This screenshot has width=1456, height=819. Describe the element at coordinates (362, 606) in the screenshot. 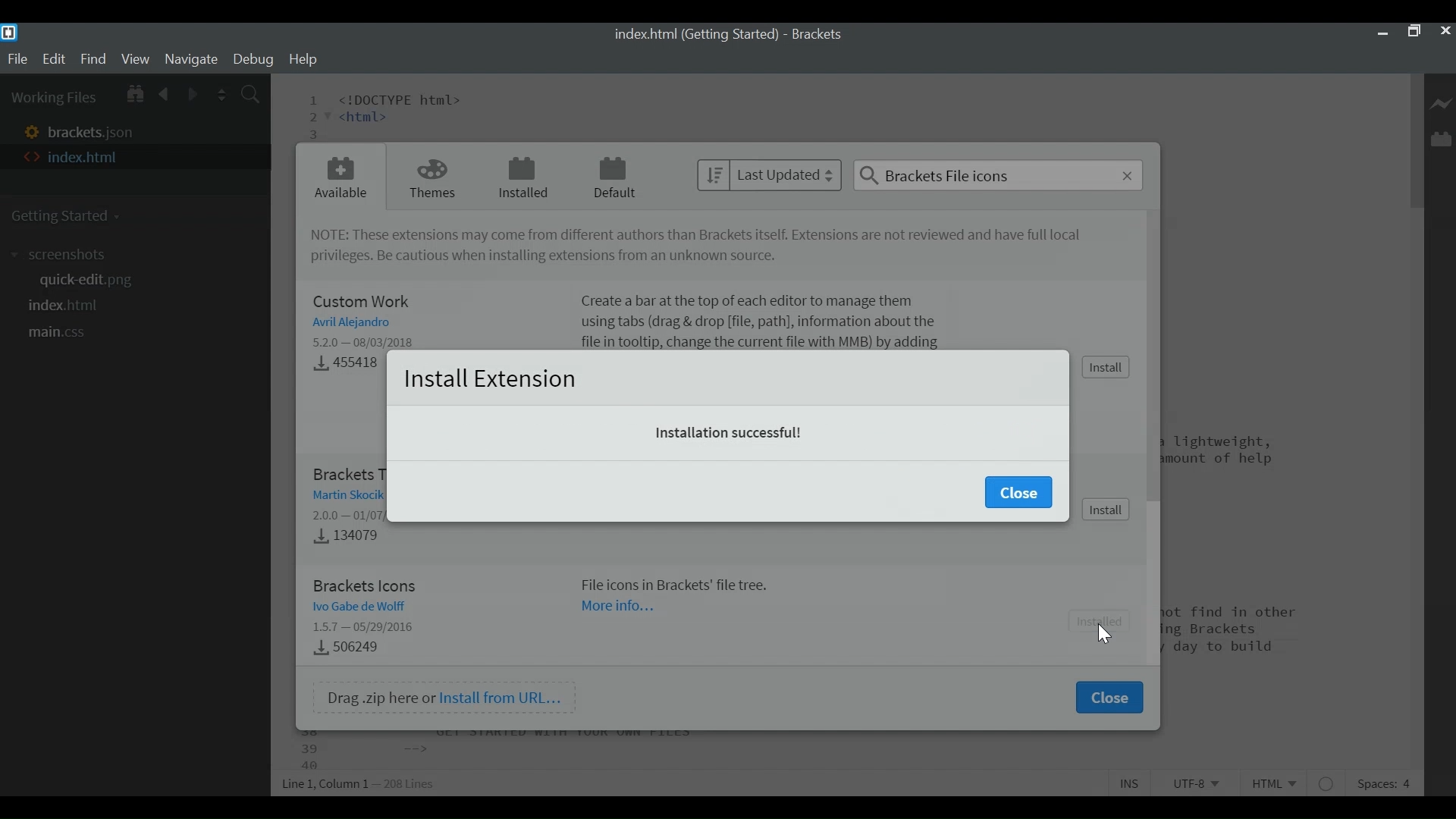

I see `Author` at that location.